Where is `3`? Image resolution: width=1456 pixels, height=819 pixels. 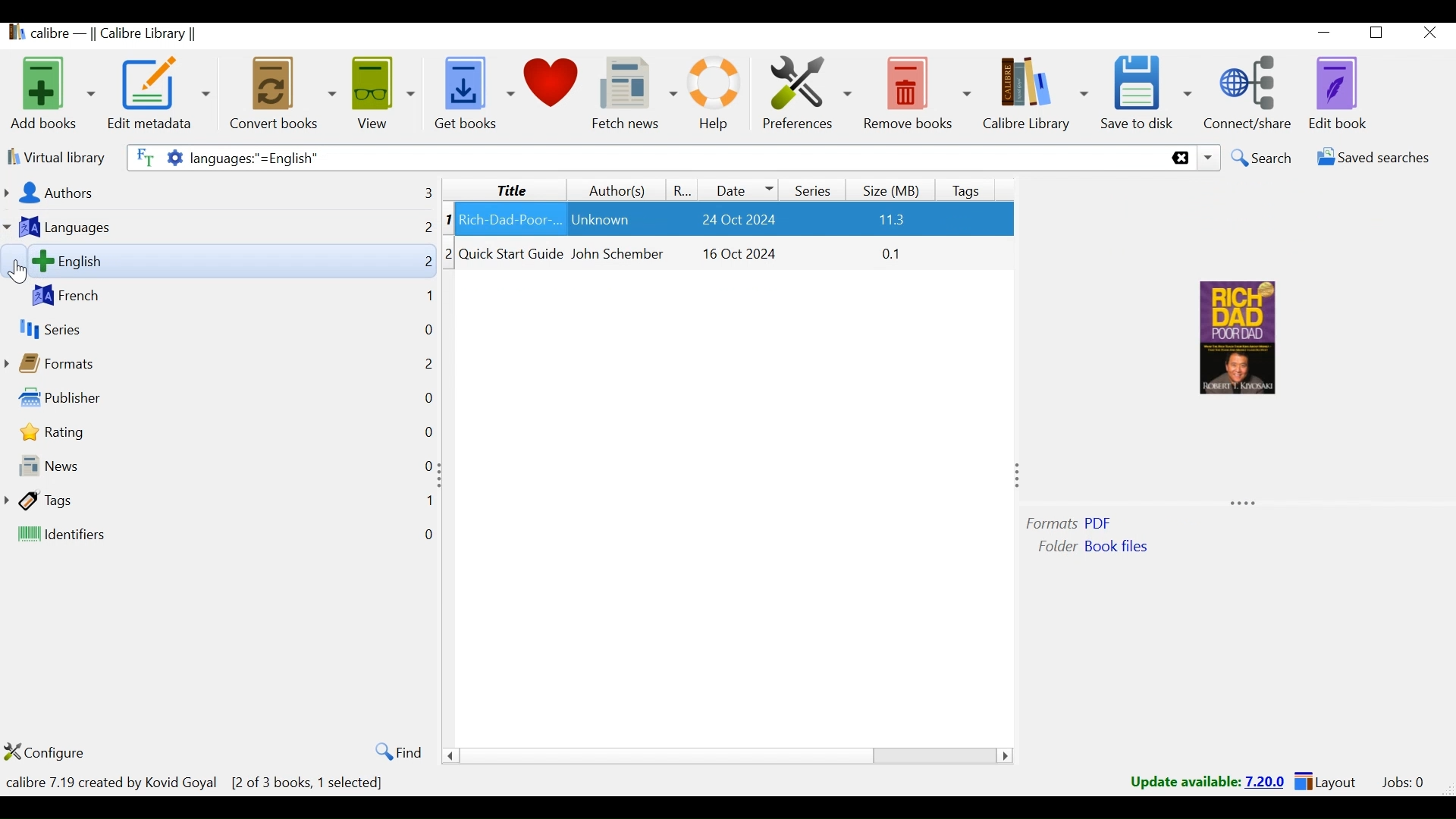 3 is located at coordinates (447, 288).